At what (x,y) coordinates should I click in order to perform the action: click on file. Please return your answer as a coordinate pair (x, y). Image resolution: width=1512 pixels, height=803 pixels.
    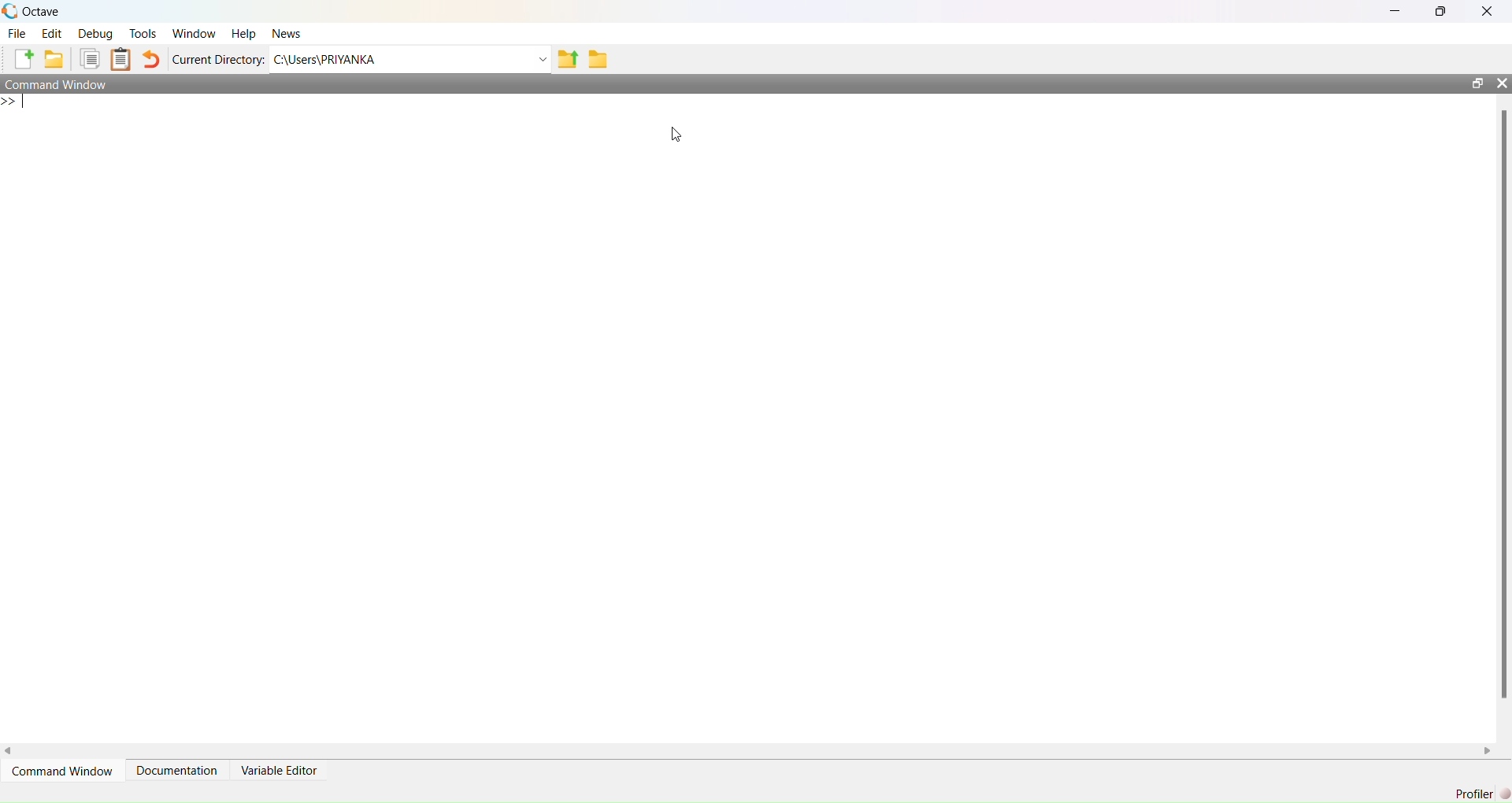
    Looking at the image, I should click on (18, 34).